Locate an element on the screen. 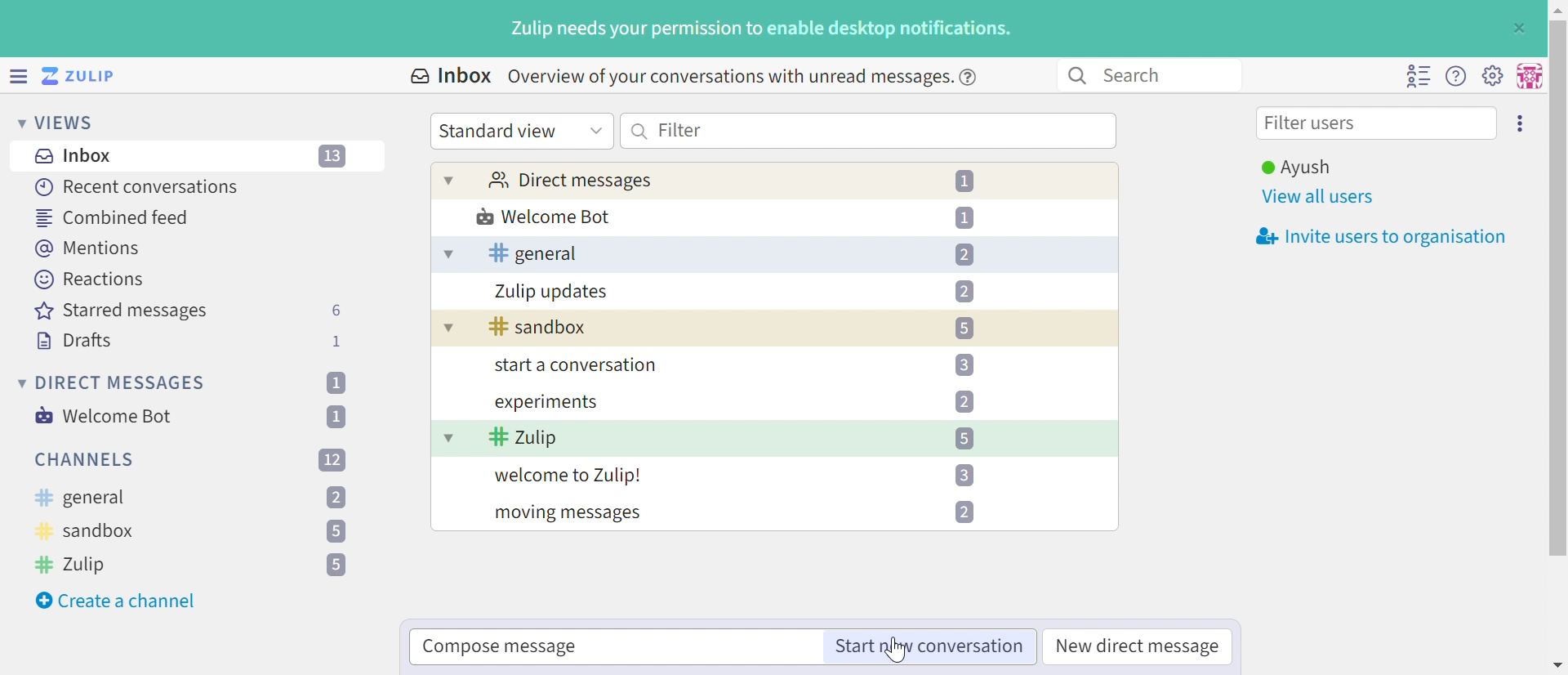 This screenshot has height=675, width=1568. Start new conversation is located at coordinates (927, 647).